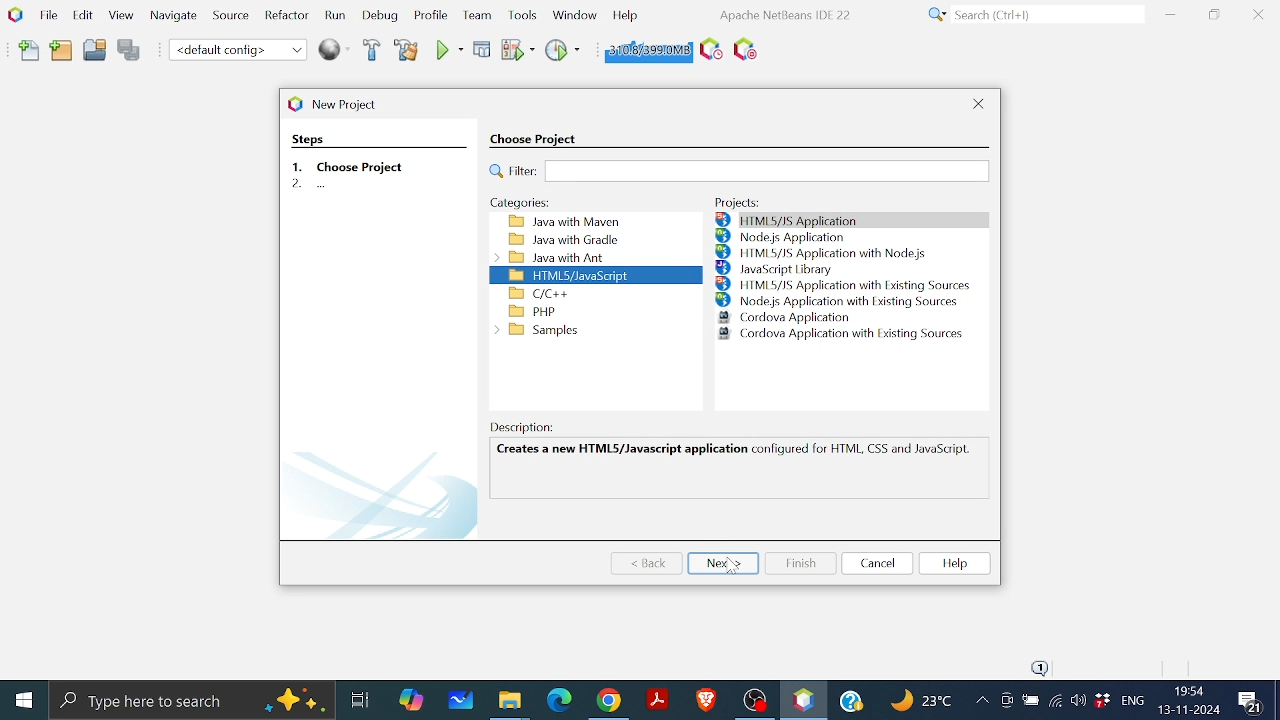 This screenshot has width=1280, height=720. I want to click on PHP, so click(579, 310).